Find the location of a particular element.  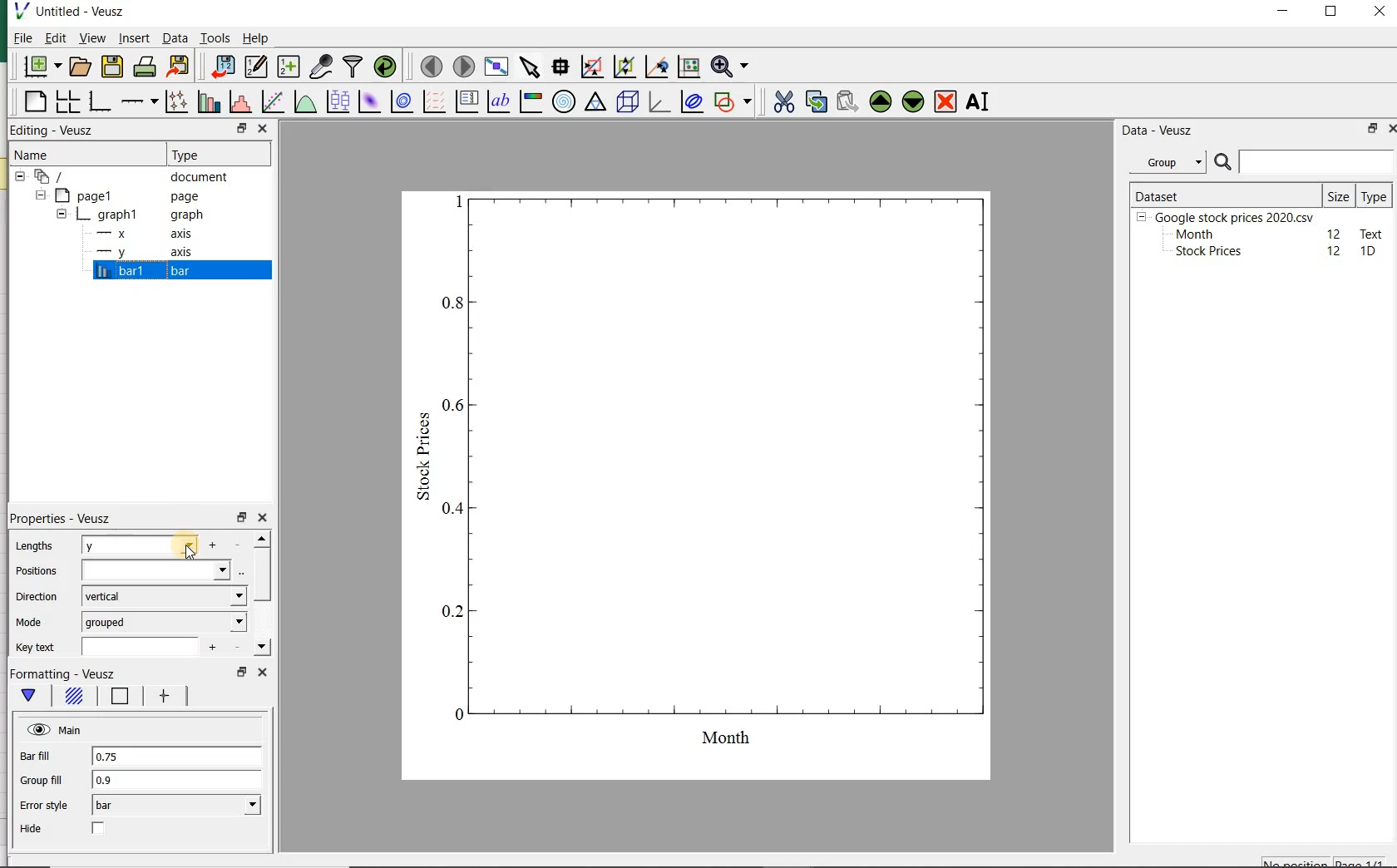

restore is located at coordinates (242, 129).